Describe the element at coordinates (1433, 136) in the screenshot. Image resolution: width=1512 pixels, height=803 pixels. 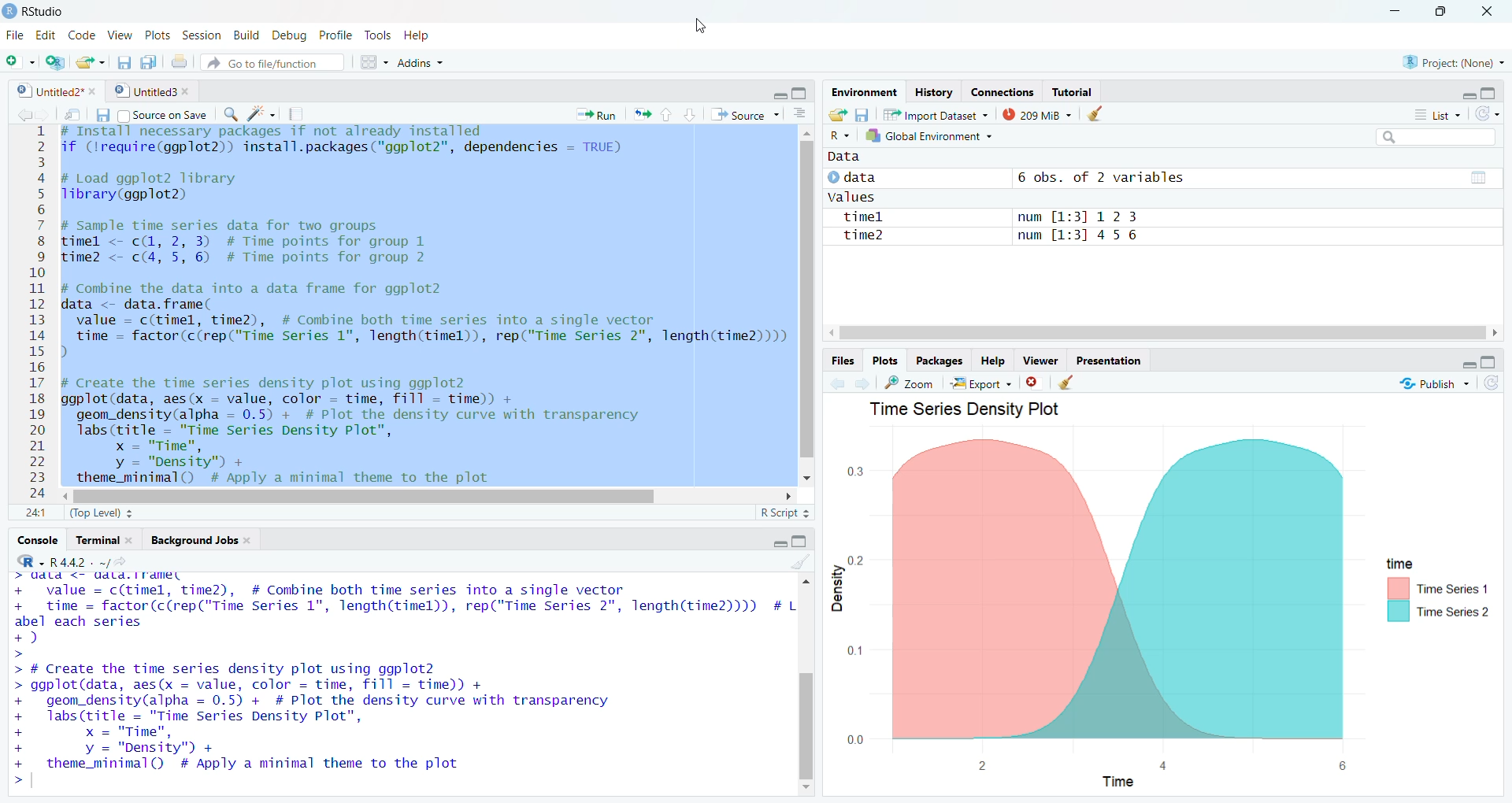
I see `Search` at that location.